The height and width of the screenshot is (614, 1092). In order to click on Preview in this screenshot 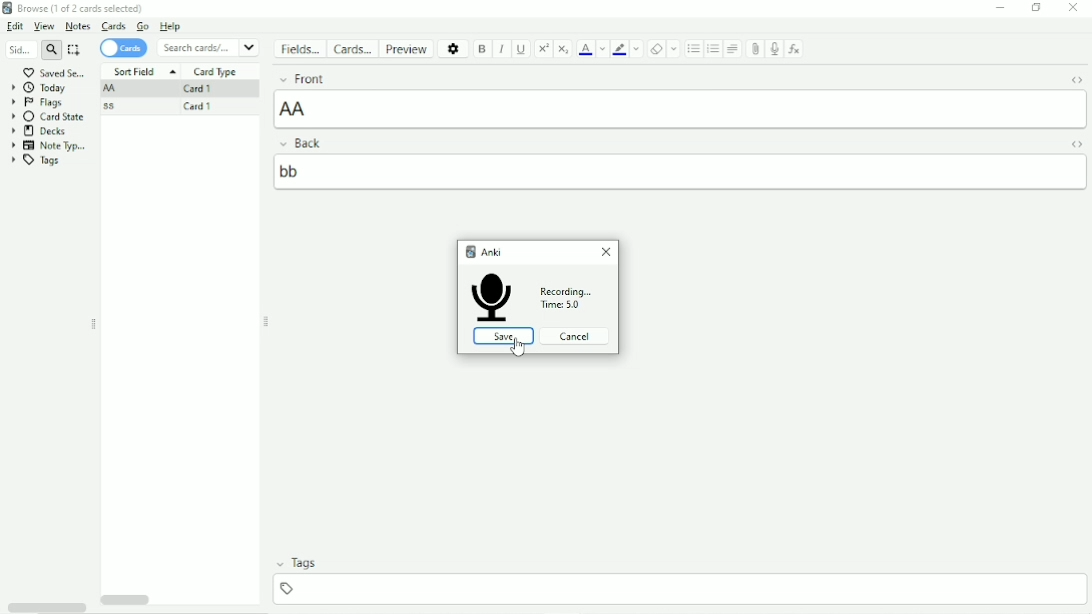, I will do `click(406, 49)`.